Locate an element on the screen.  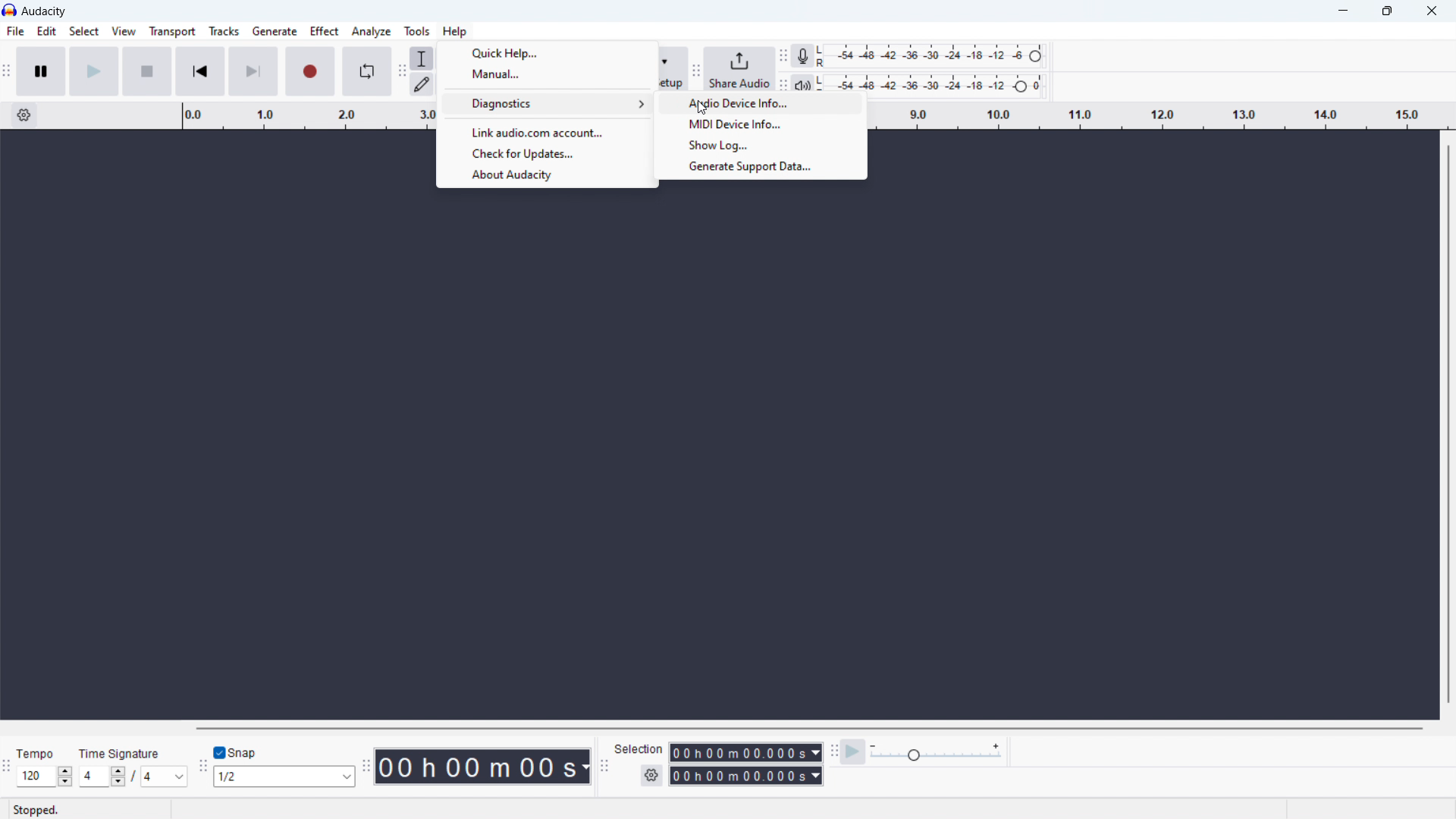
Stopped is located at coordinates (36, 809).